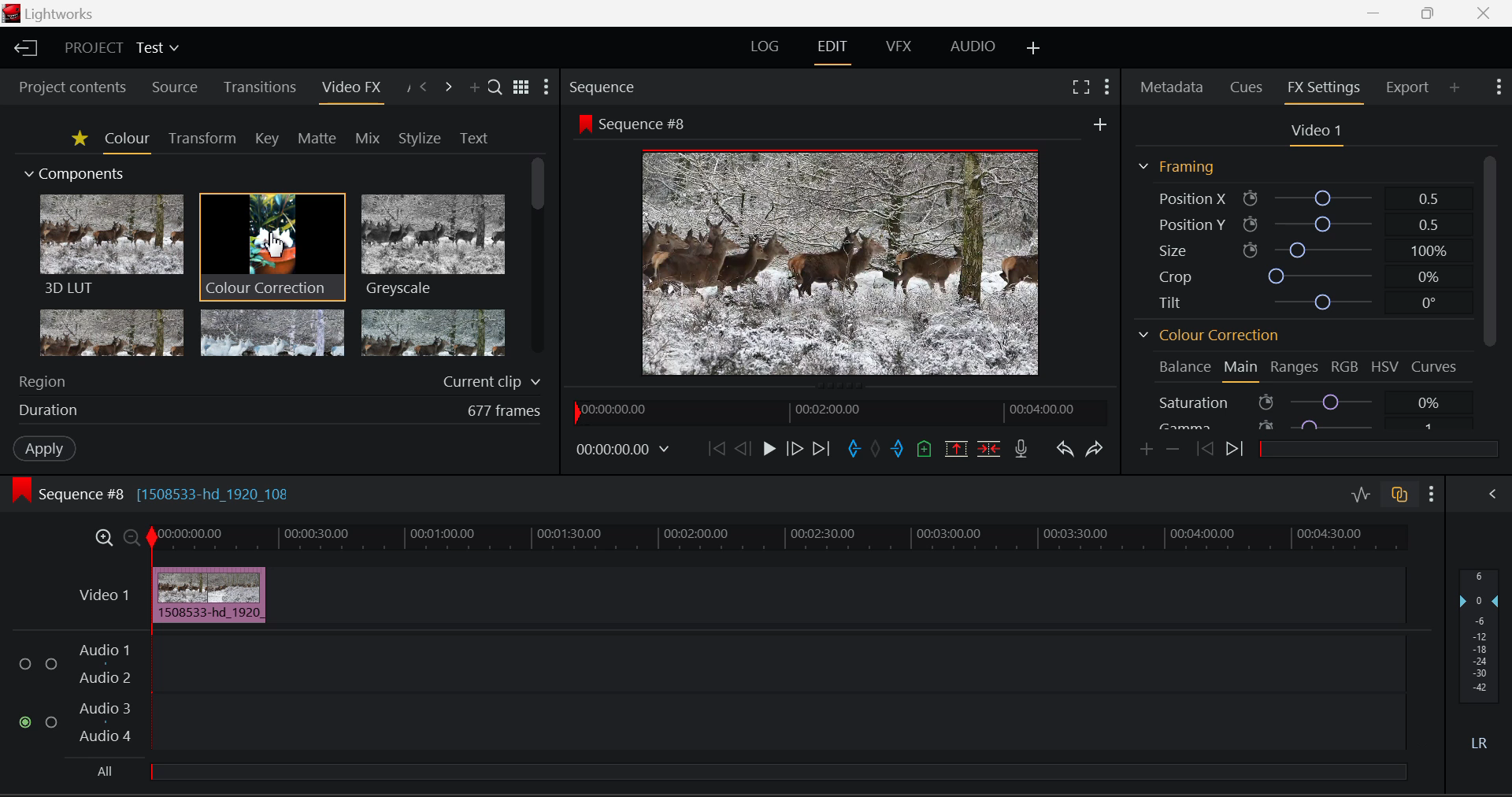 This screenshot has width=1512, height=797. Describe the element at coordinates (1360, 498) in the screenshot. I see `Toggle Audio Levels Editing` at that location.